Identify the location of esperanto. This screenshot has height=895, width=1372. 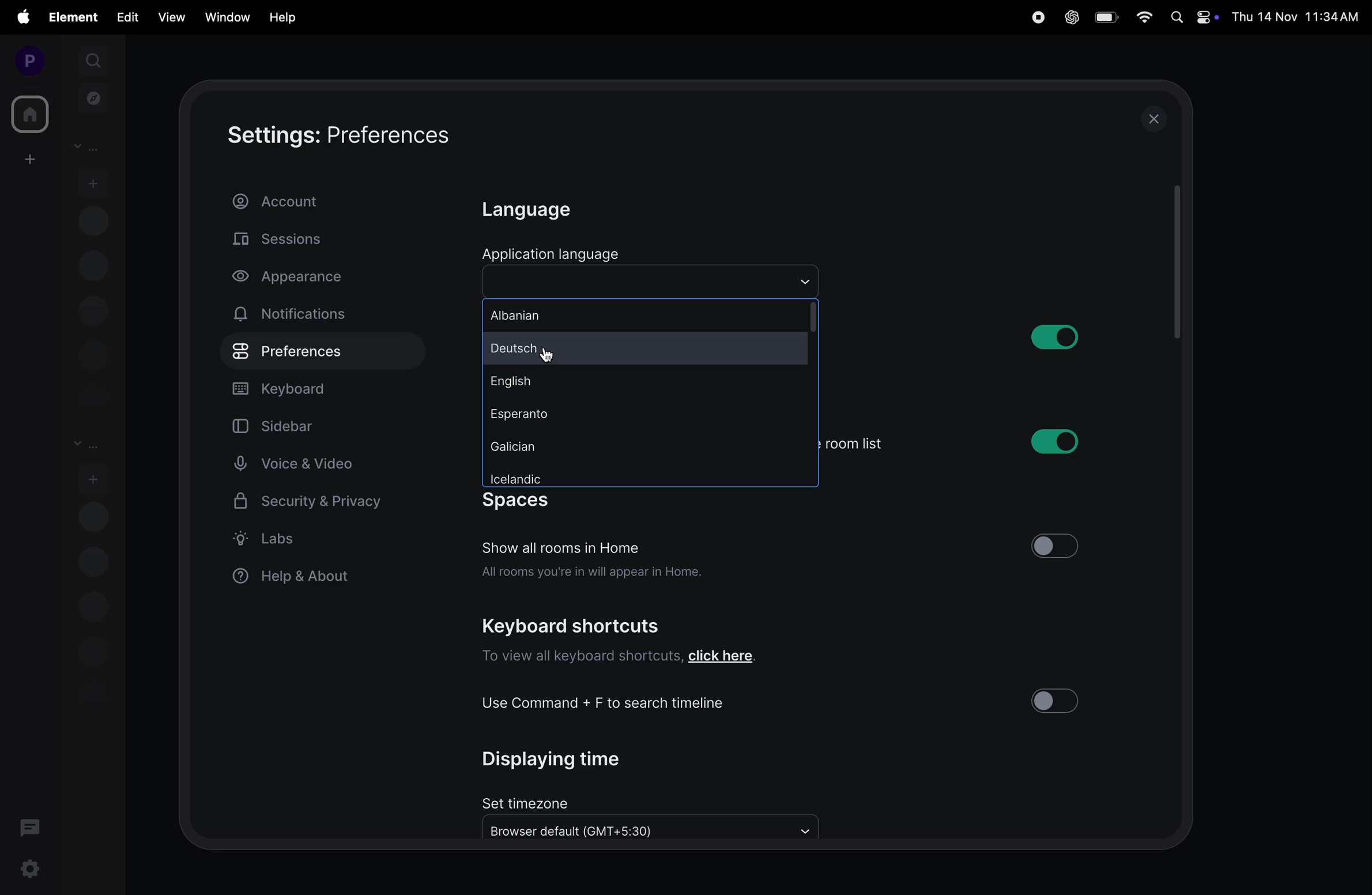
(650, 414).